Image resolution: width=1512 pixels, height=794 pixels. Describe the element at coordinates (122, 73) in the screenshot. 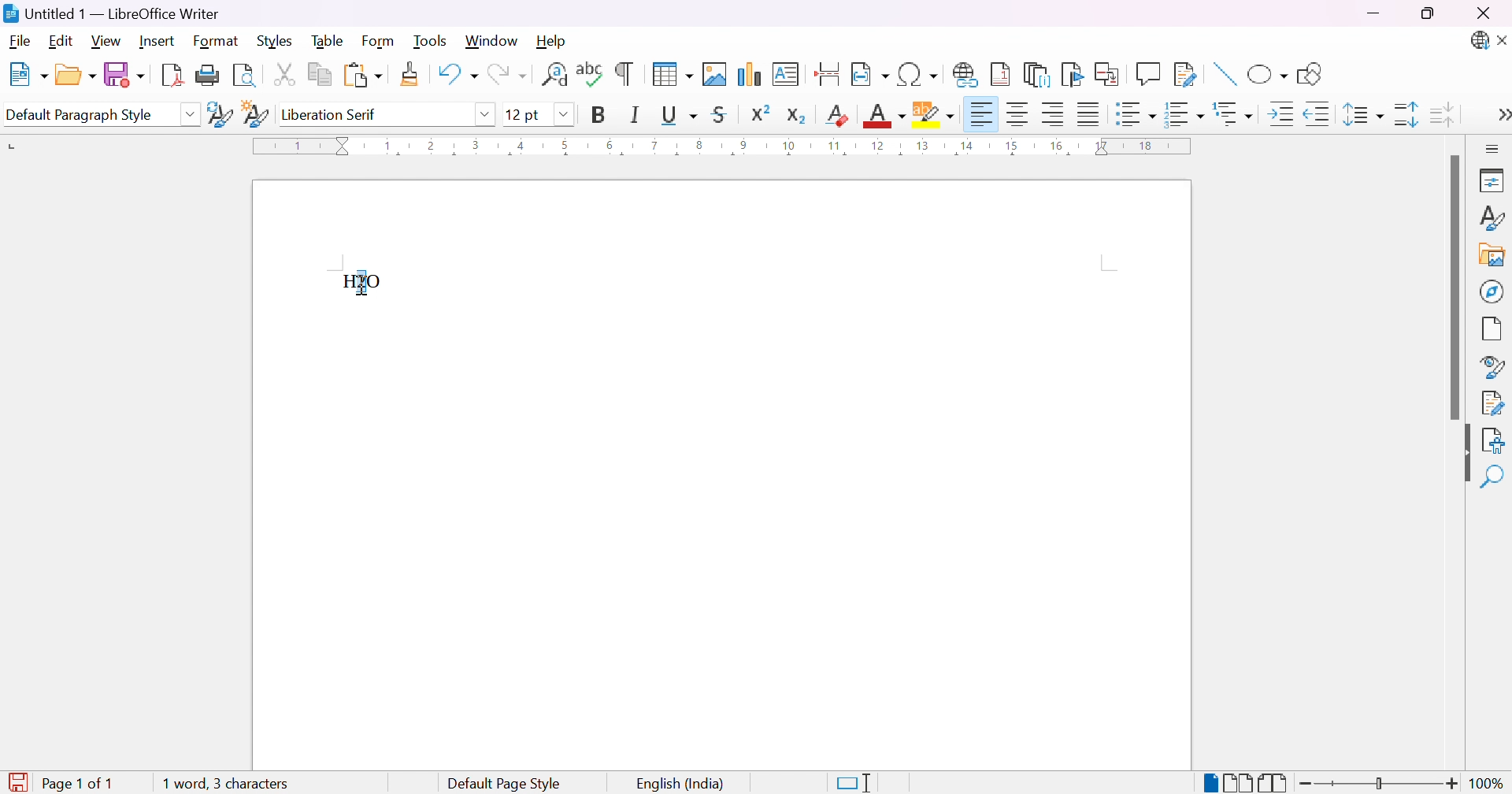

I see `Save` at that location.